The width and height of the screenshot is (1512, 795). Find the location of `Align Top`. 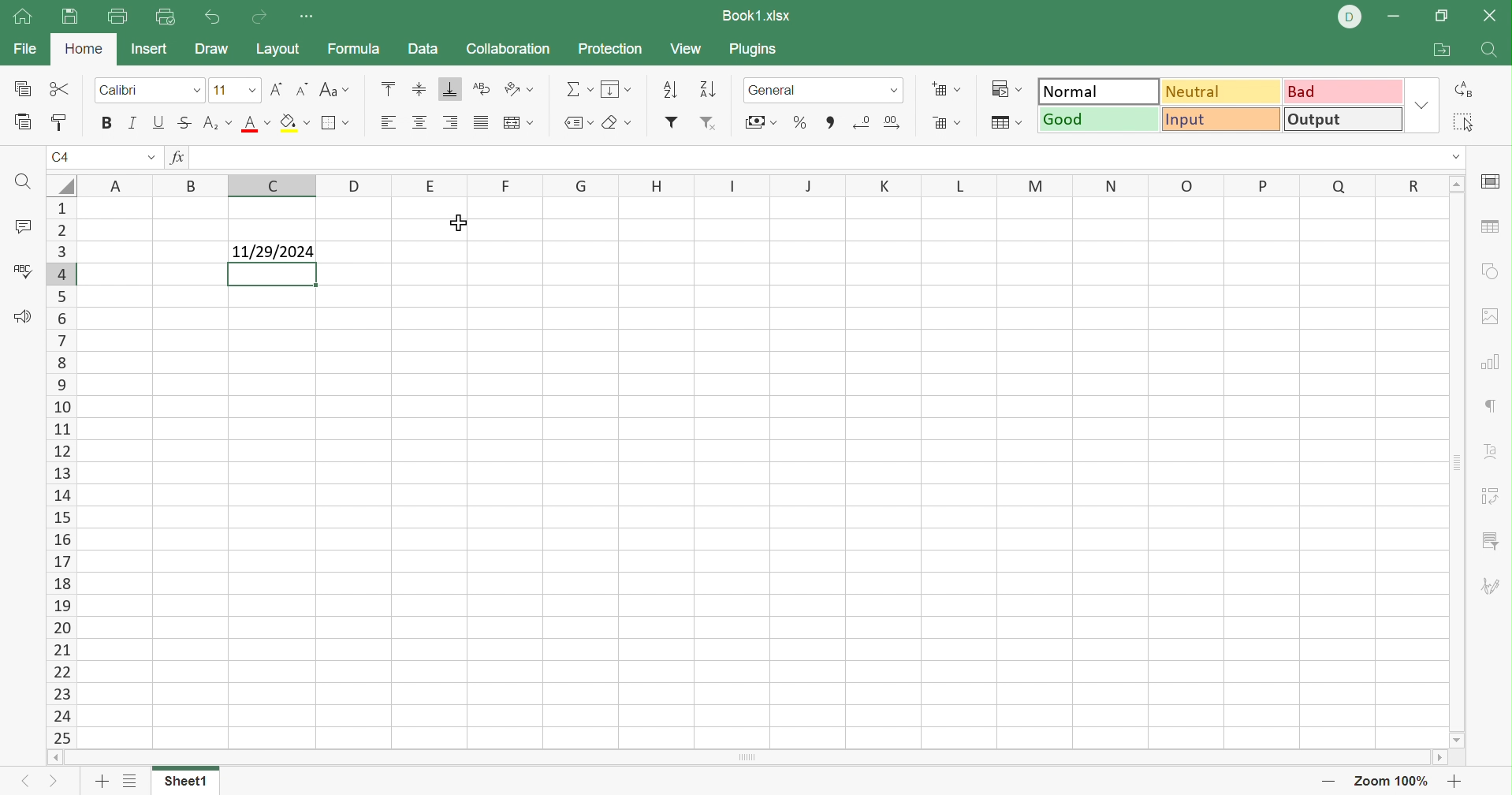

Align Top is located at coordinates (392, 86).